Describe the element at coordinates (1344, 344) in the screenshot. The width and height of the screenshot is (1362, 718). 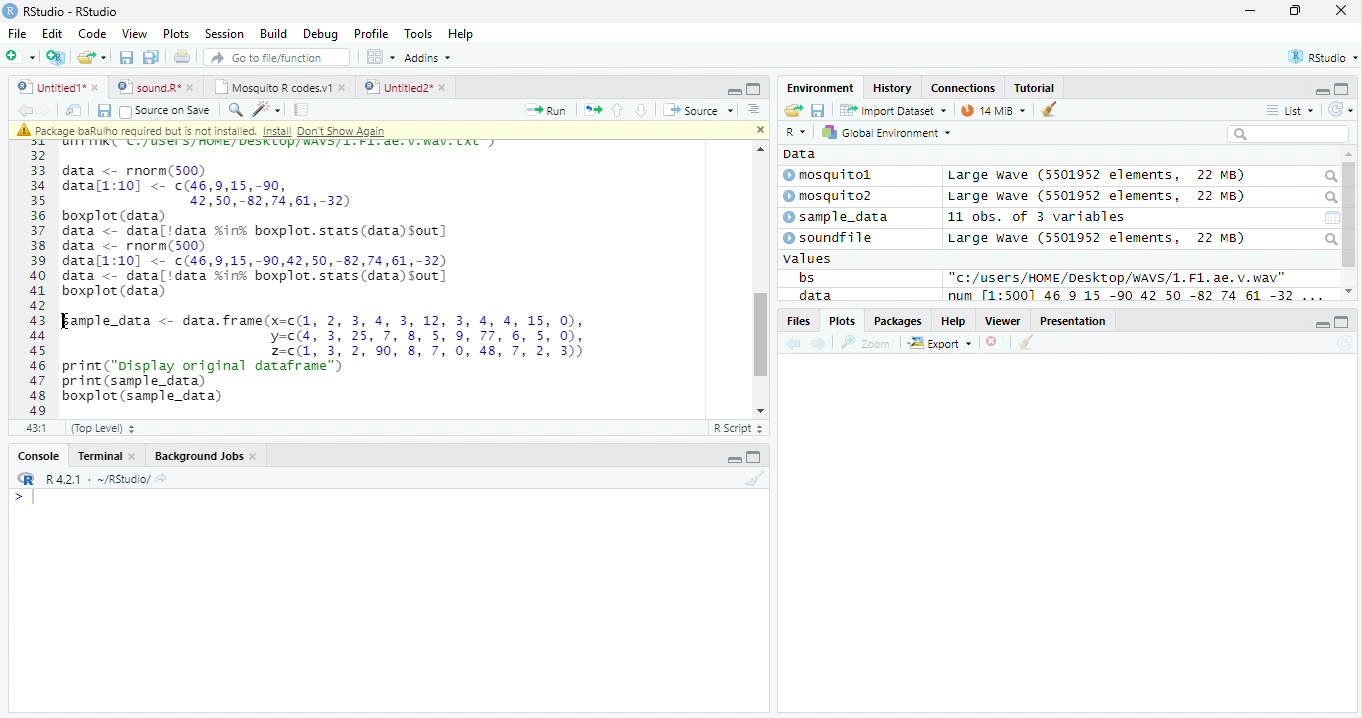
I see `Refresh` at that location.